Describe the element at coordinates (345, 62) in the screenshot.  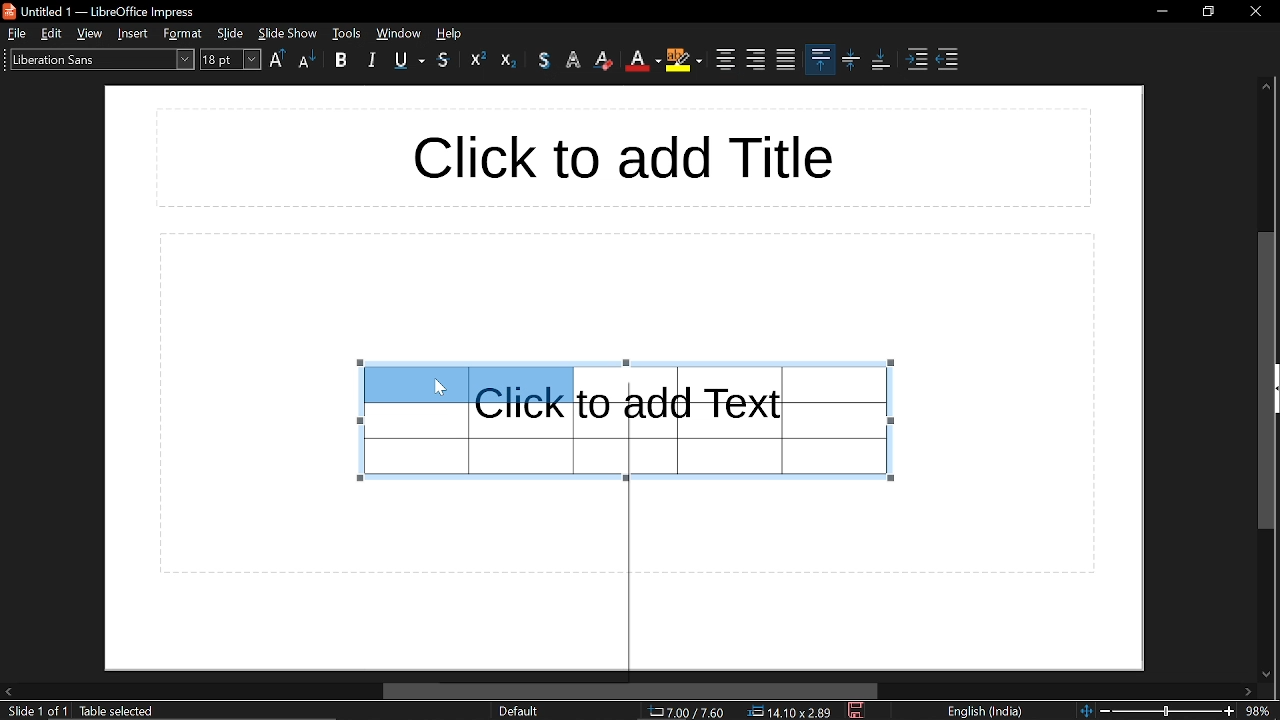
I see `bold` at that location.